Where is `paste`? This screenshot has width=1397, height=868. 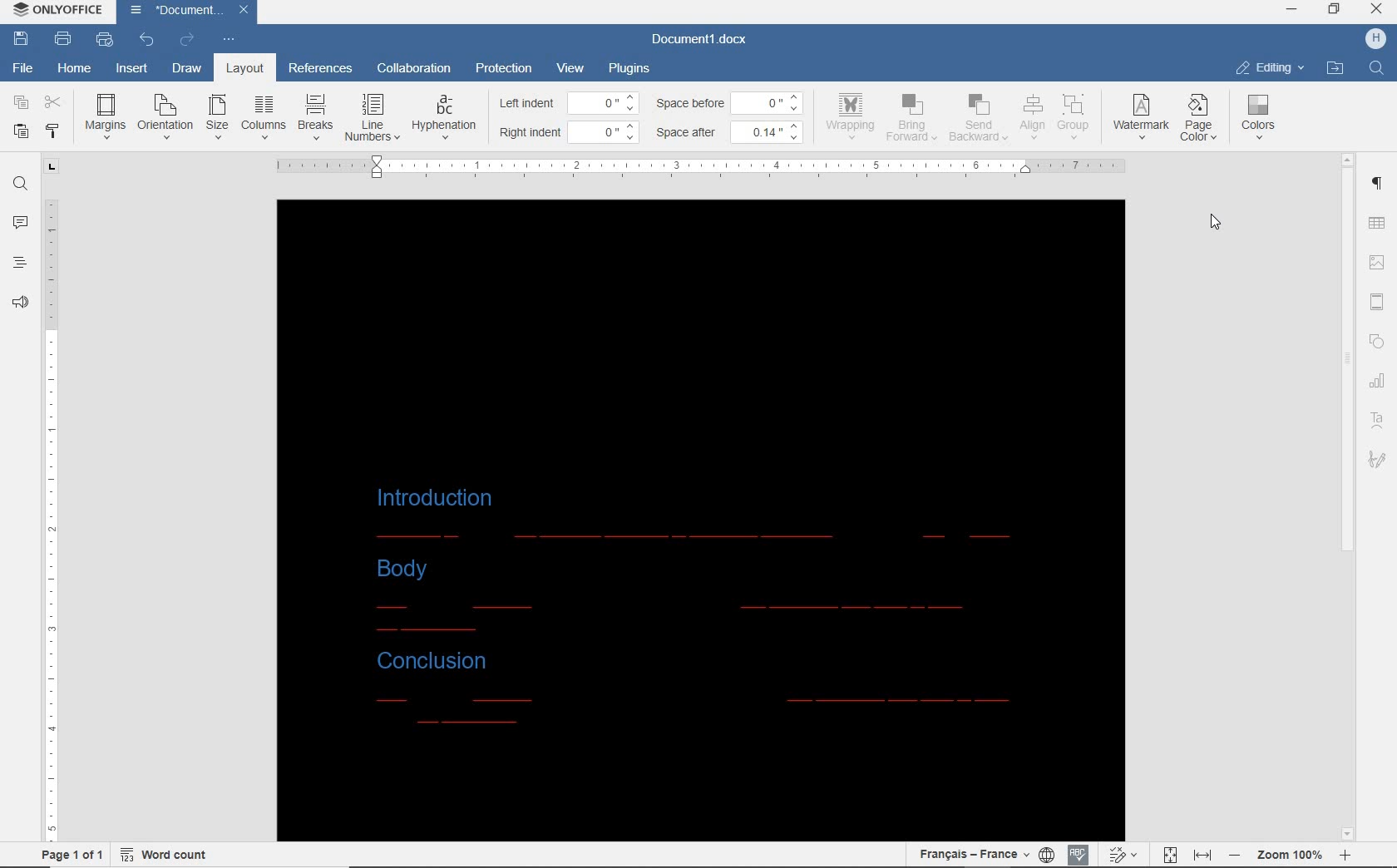
paste is located at coordinates (19, 131).